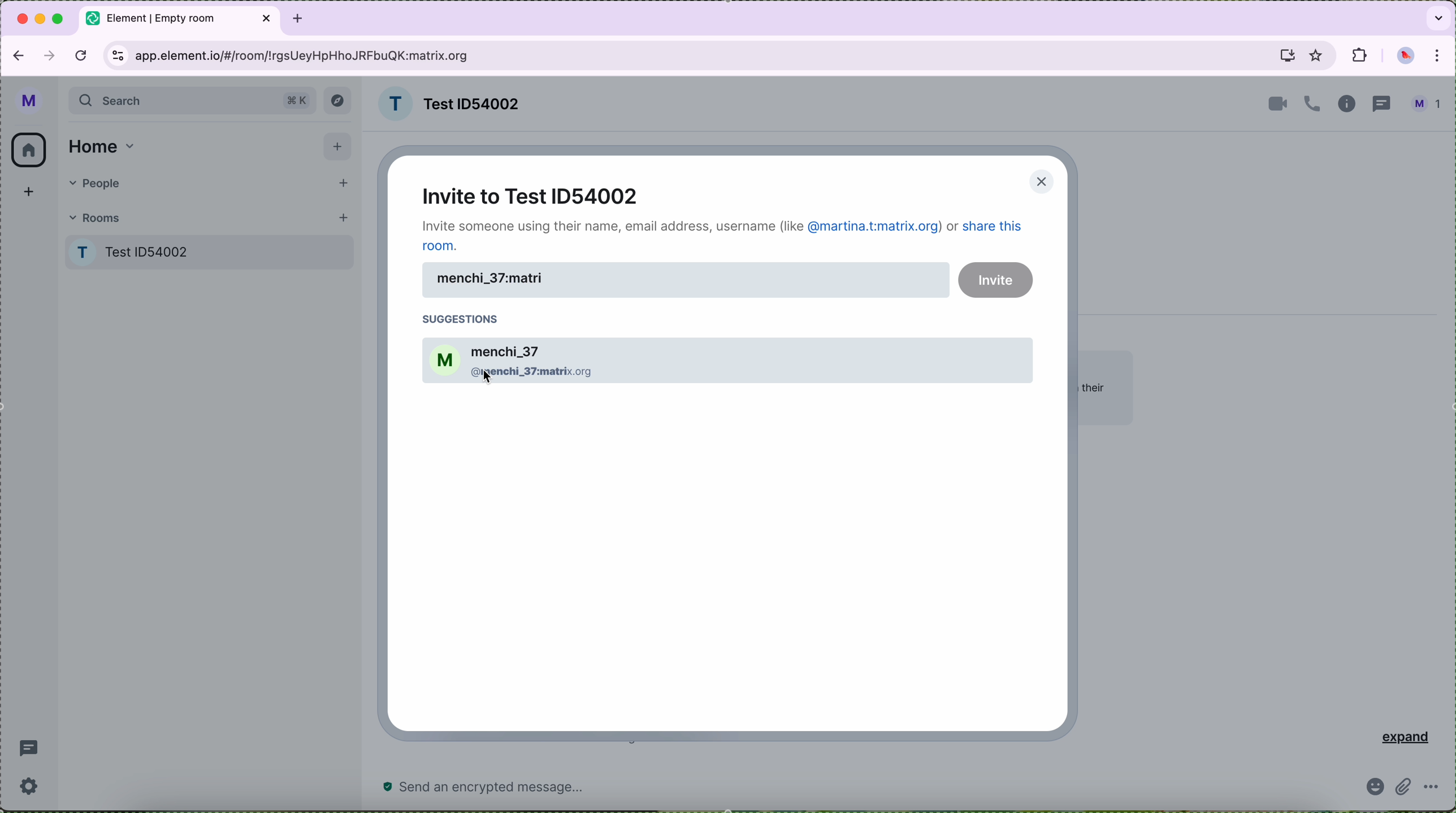 Image resolution: width=1456 pixels, height=813 pixels. What do you see at coordinates (340, 147) in the screenshot?
I see `add button` at bounding box center [340, 147].